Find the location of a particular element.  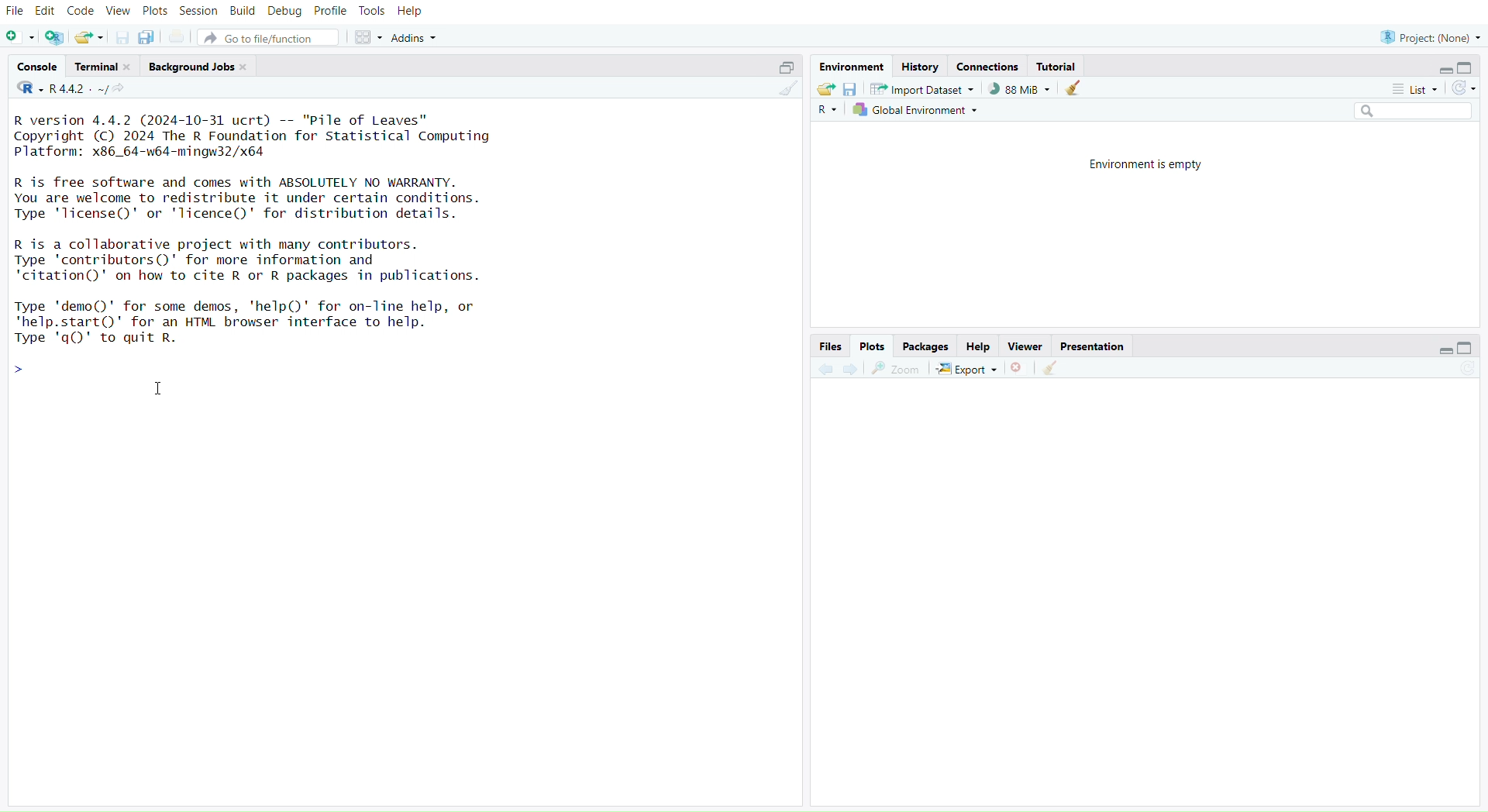

code is located at coordinates (81, 11).